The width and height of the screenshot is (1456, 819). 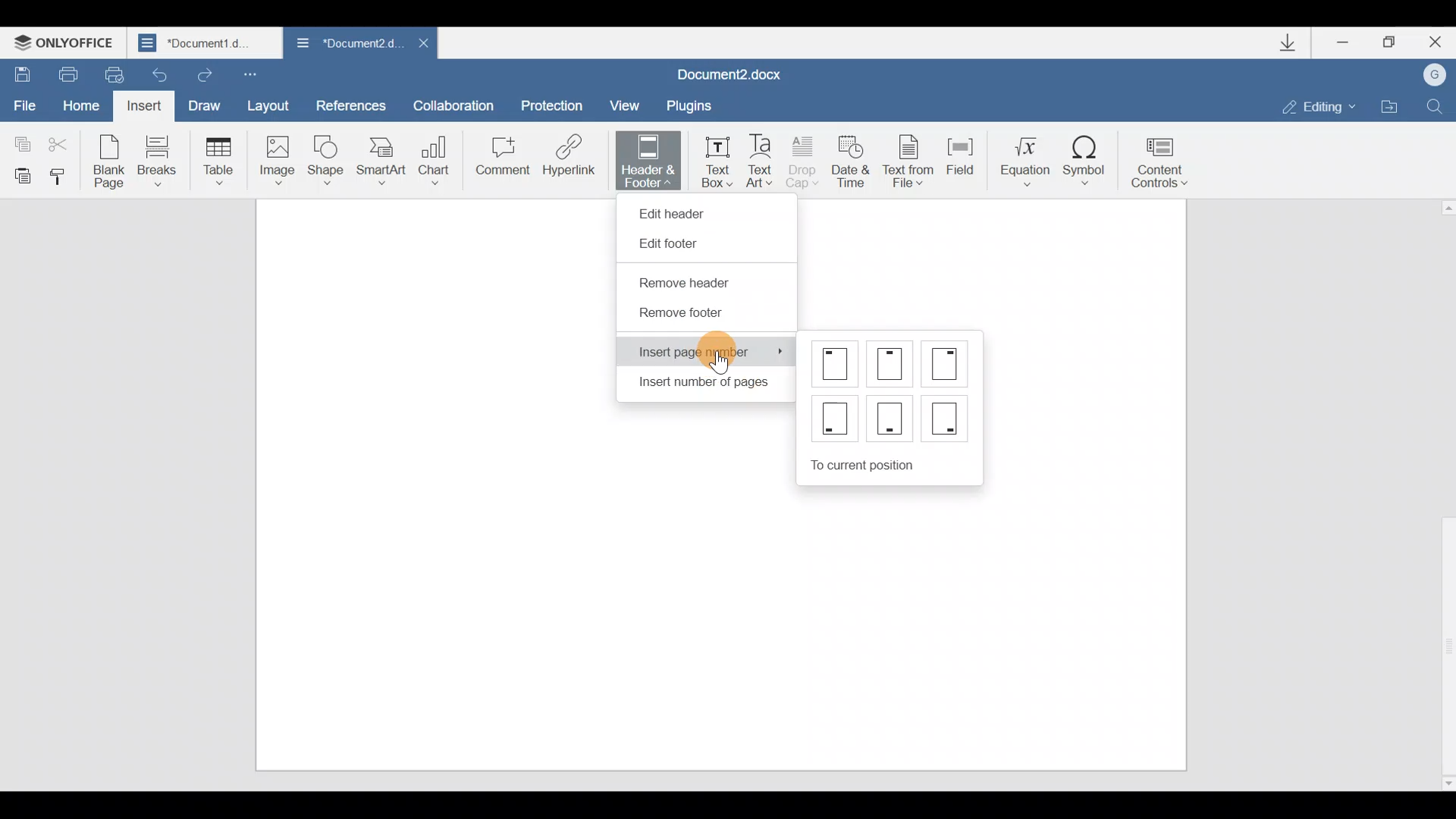 What do you see at coordinates (80, 104) in the screenshot?
I see `Home` at bounding box center [80, 104].